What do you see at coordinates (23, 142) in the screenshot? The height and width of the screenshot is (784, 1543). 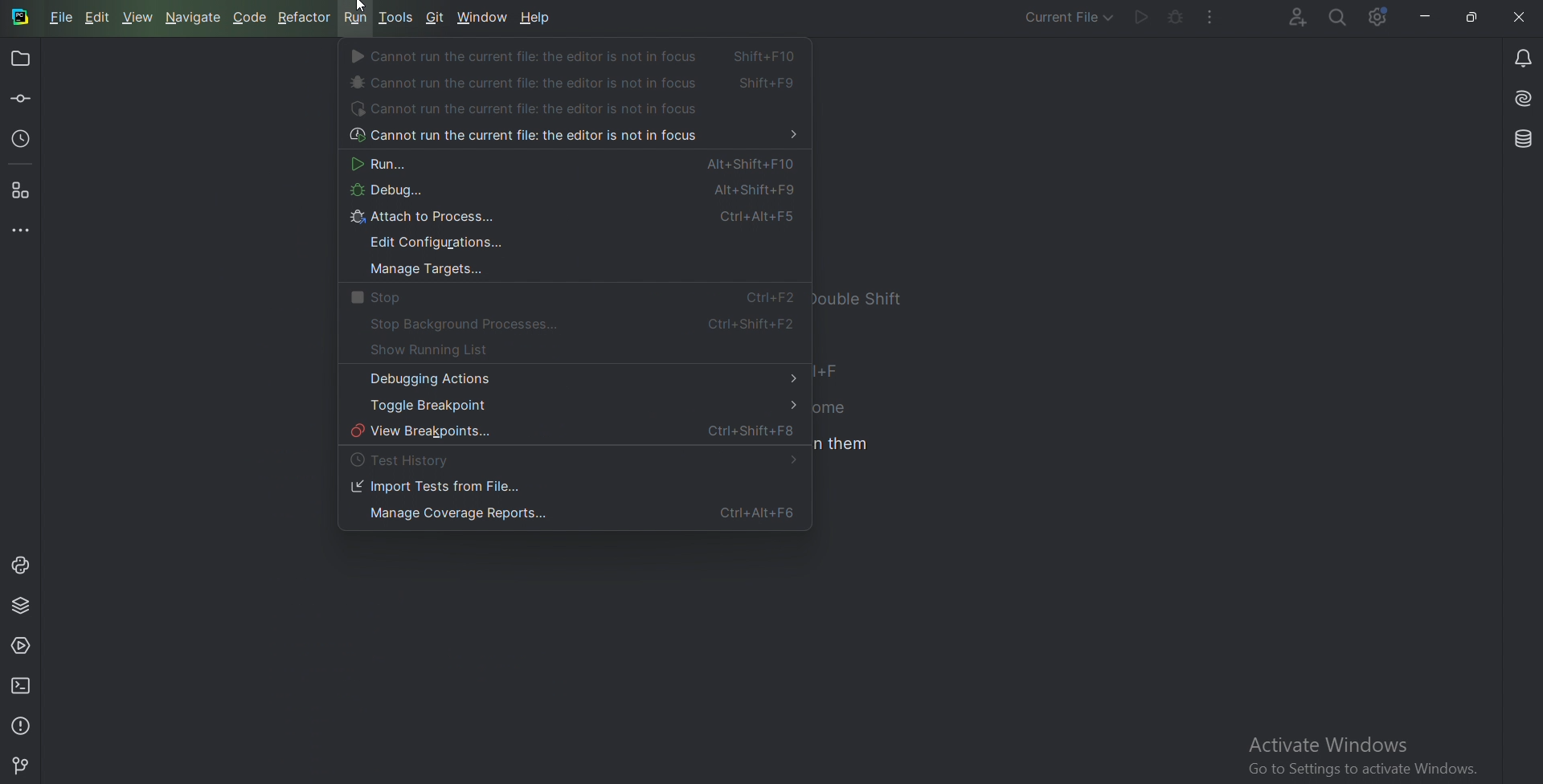 I see `Local history` at bounding box center [23, 142].